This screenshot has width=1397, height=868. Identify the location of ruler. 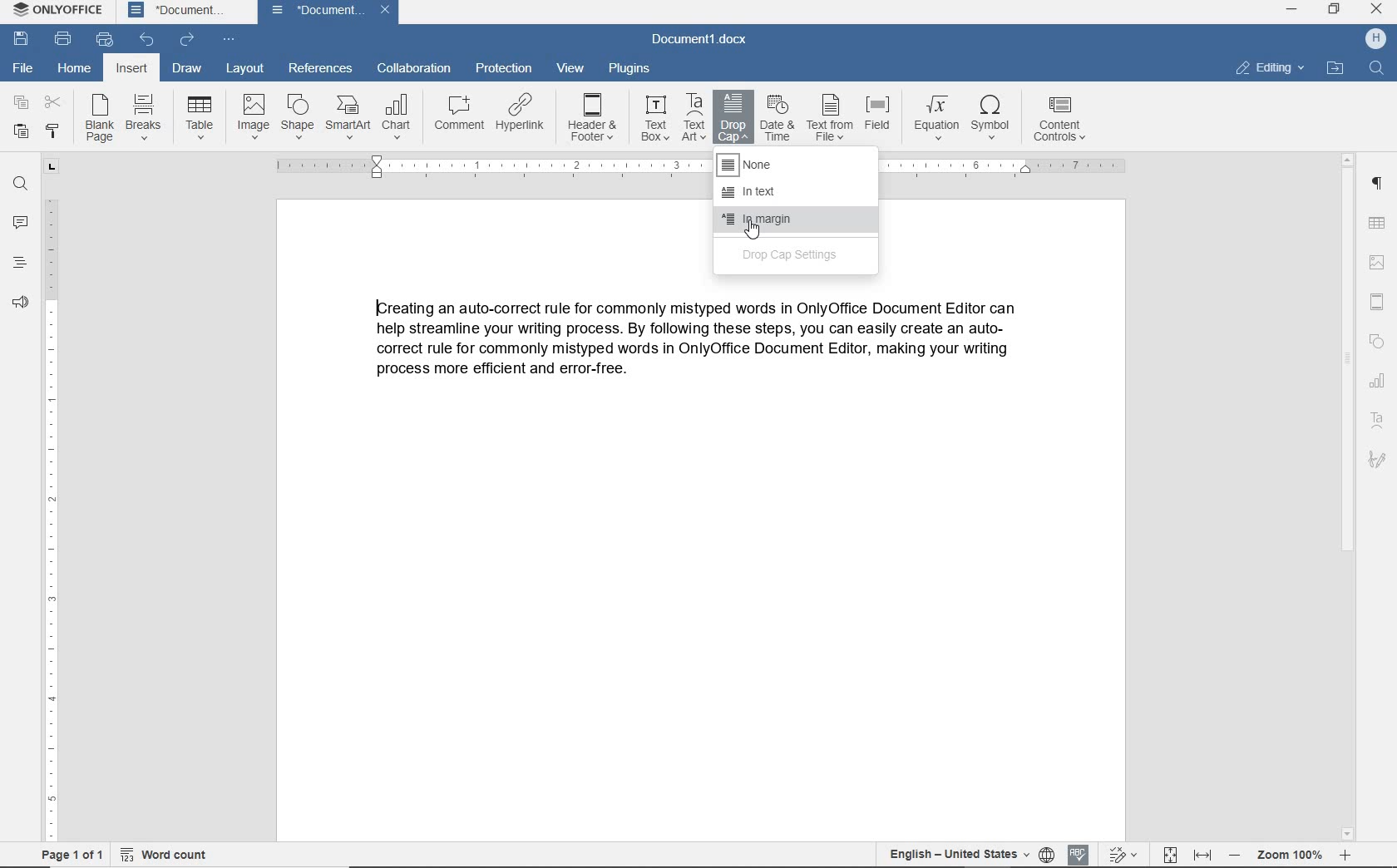
(49, 497).